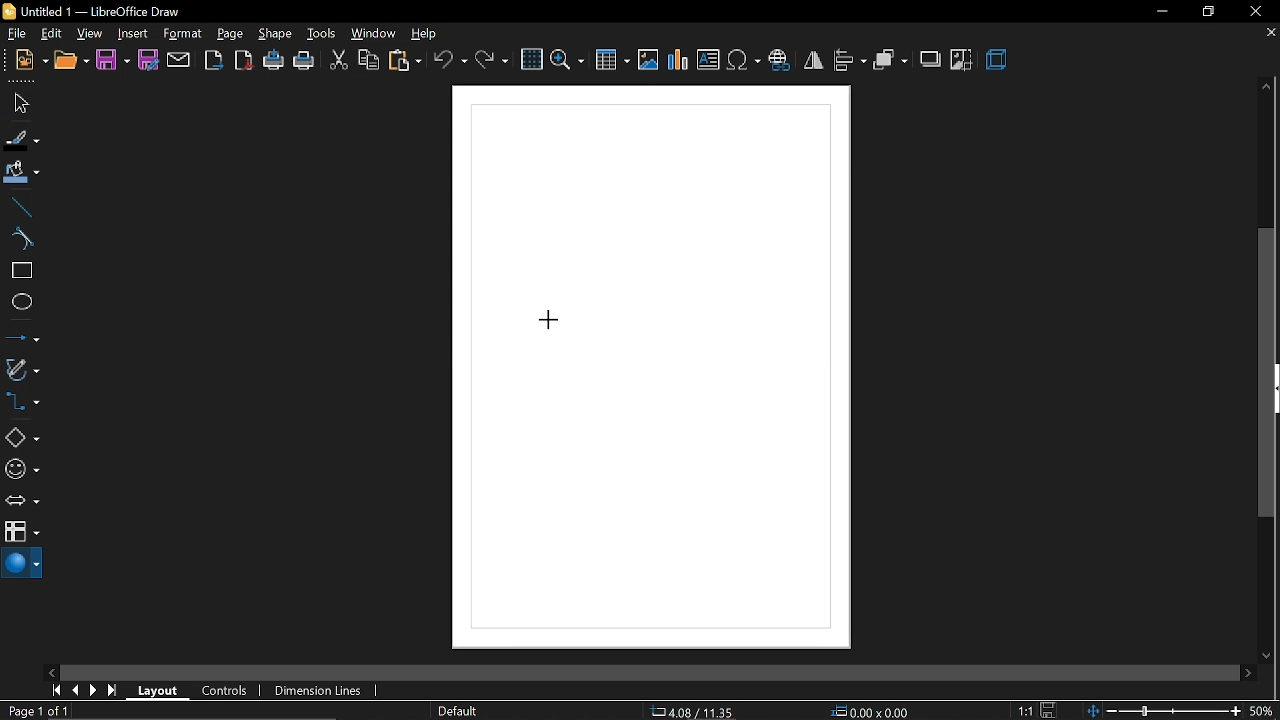  I want to click on shape, so click(277, 35).